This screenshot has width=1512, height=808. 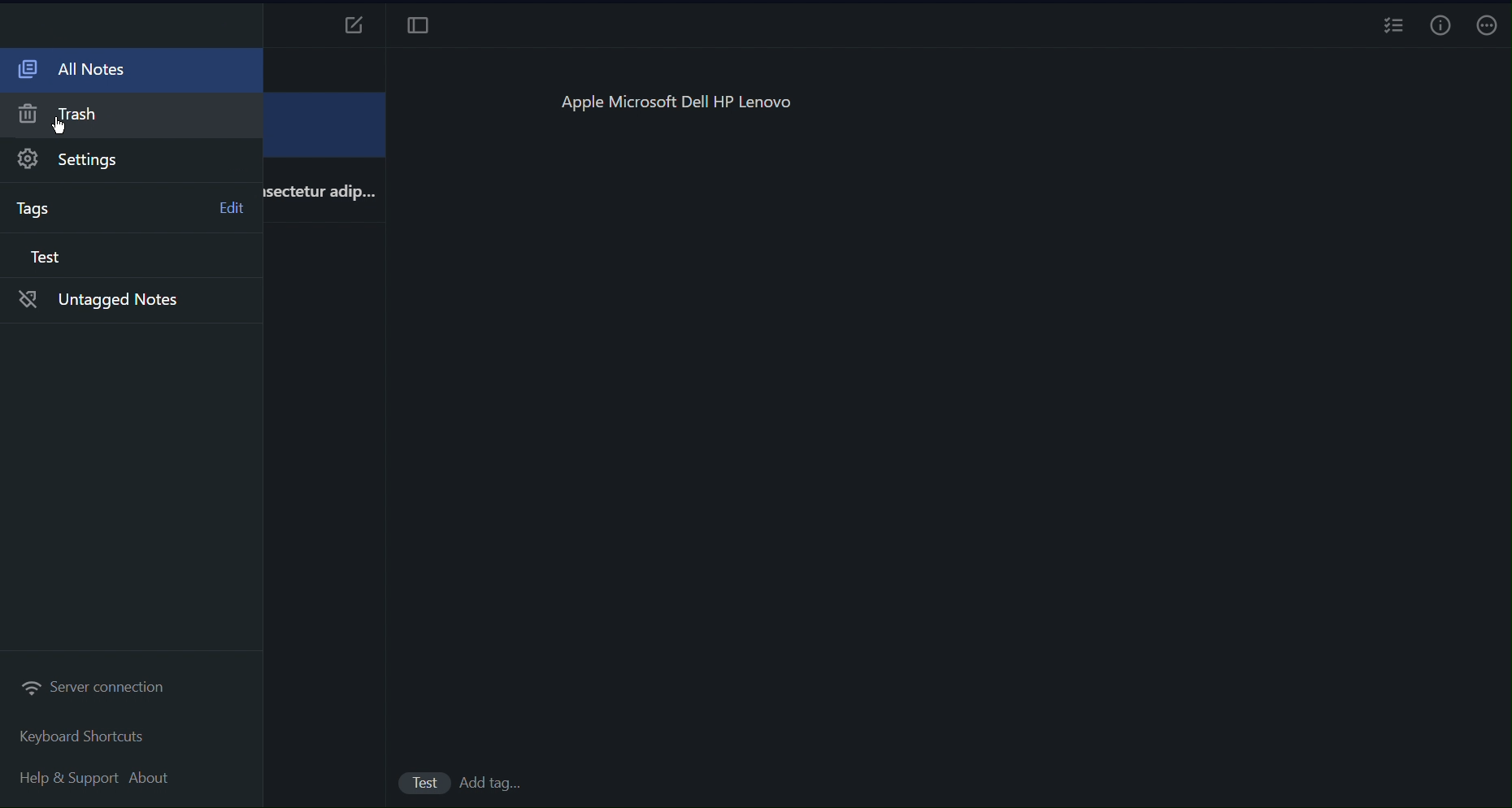 I want to click on Help and Support, so click(x=67, y=775).